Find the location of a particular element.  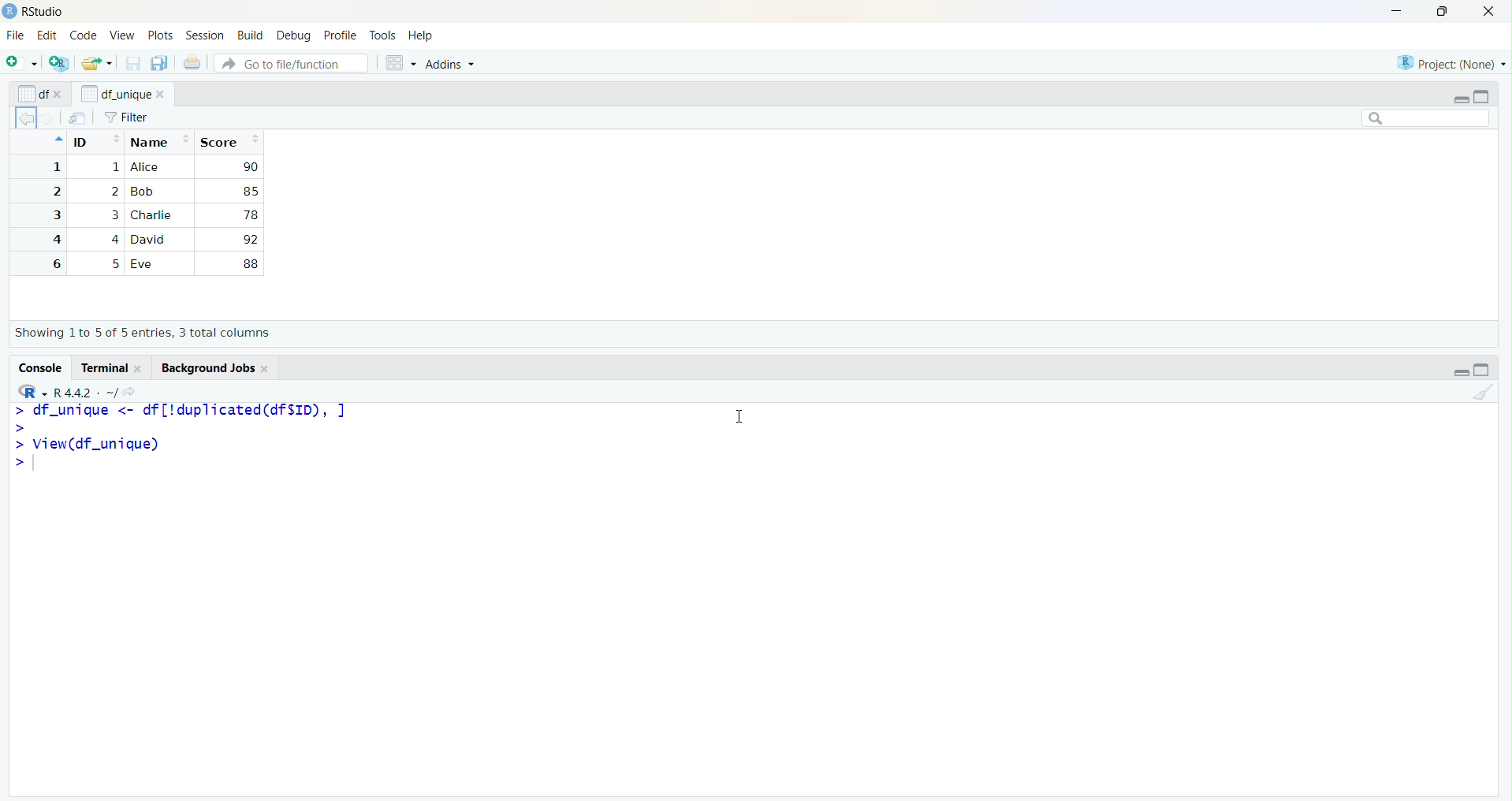

Tools is located at coordinates (383, 36).